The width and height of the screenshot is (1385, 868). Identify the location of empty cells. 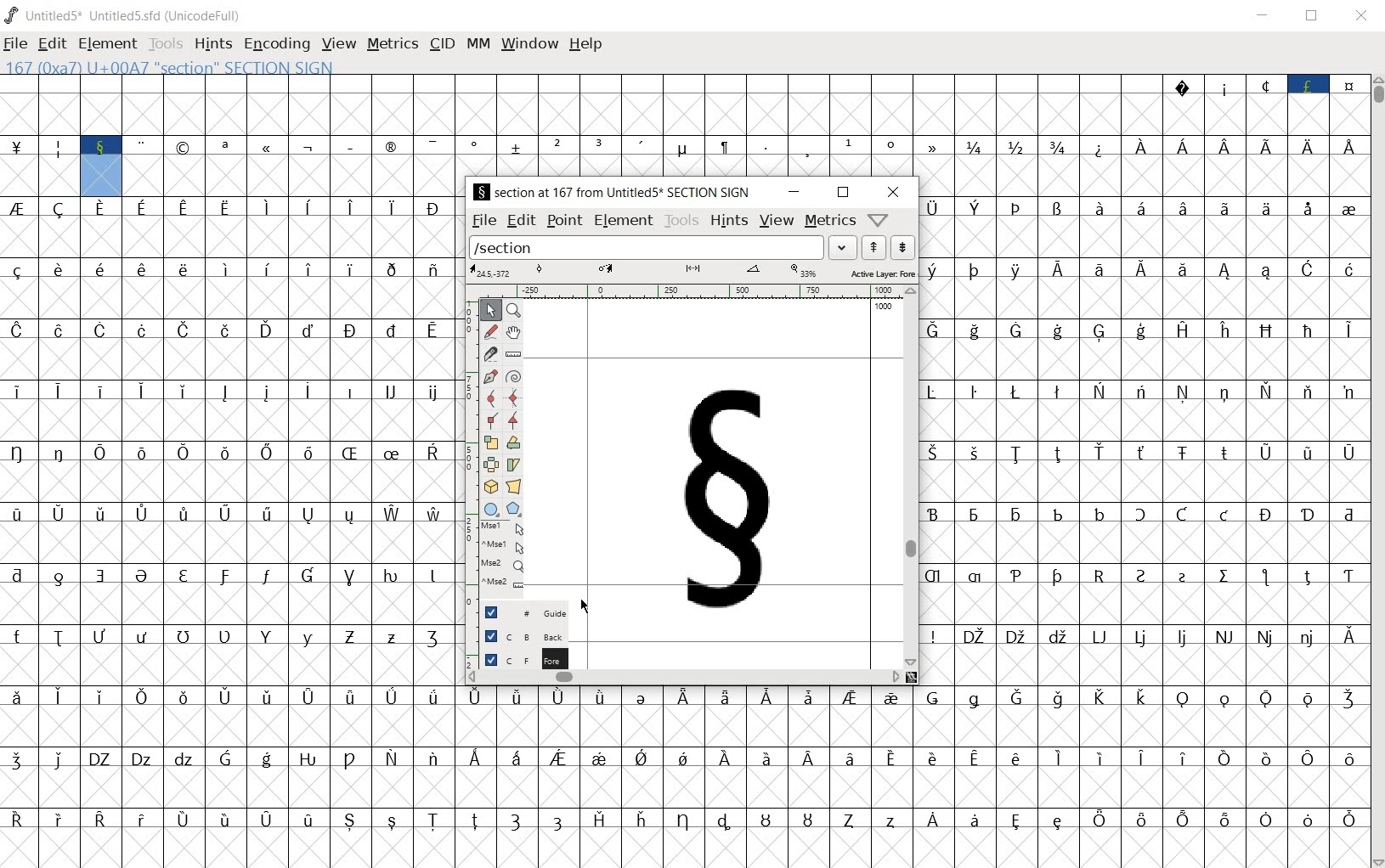
(233, 605).